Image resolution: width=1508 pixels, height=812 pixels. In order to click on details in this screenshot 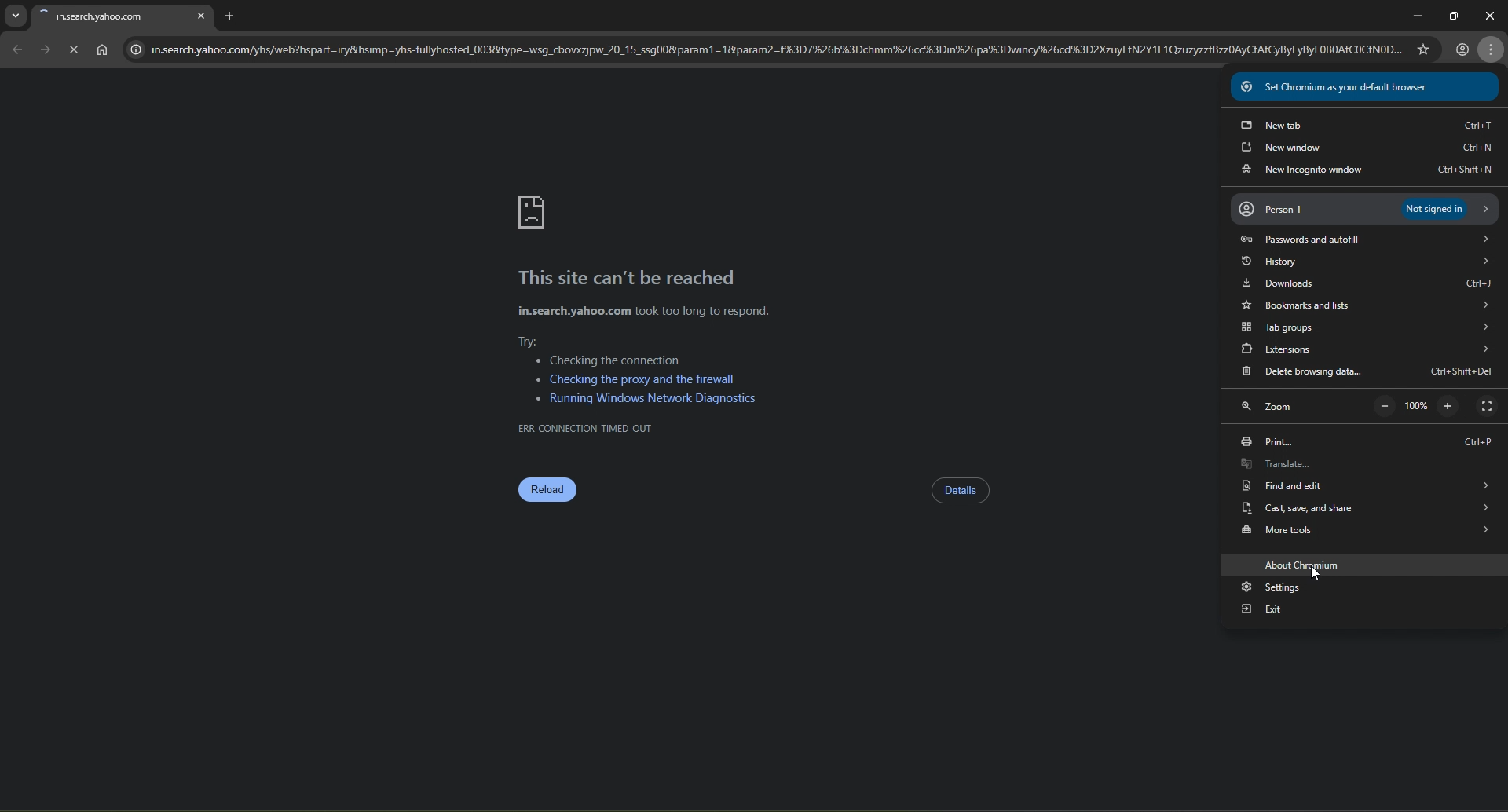, I will do `click(961, 491)`.